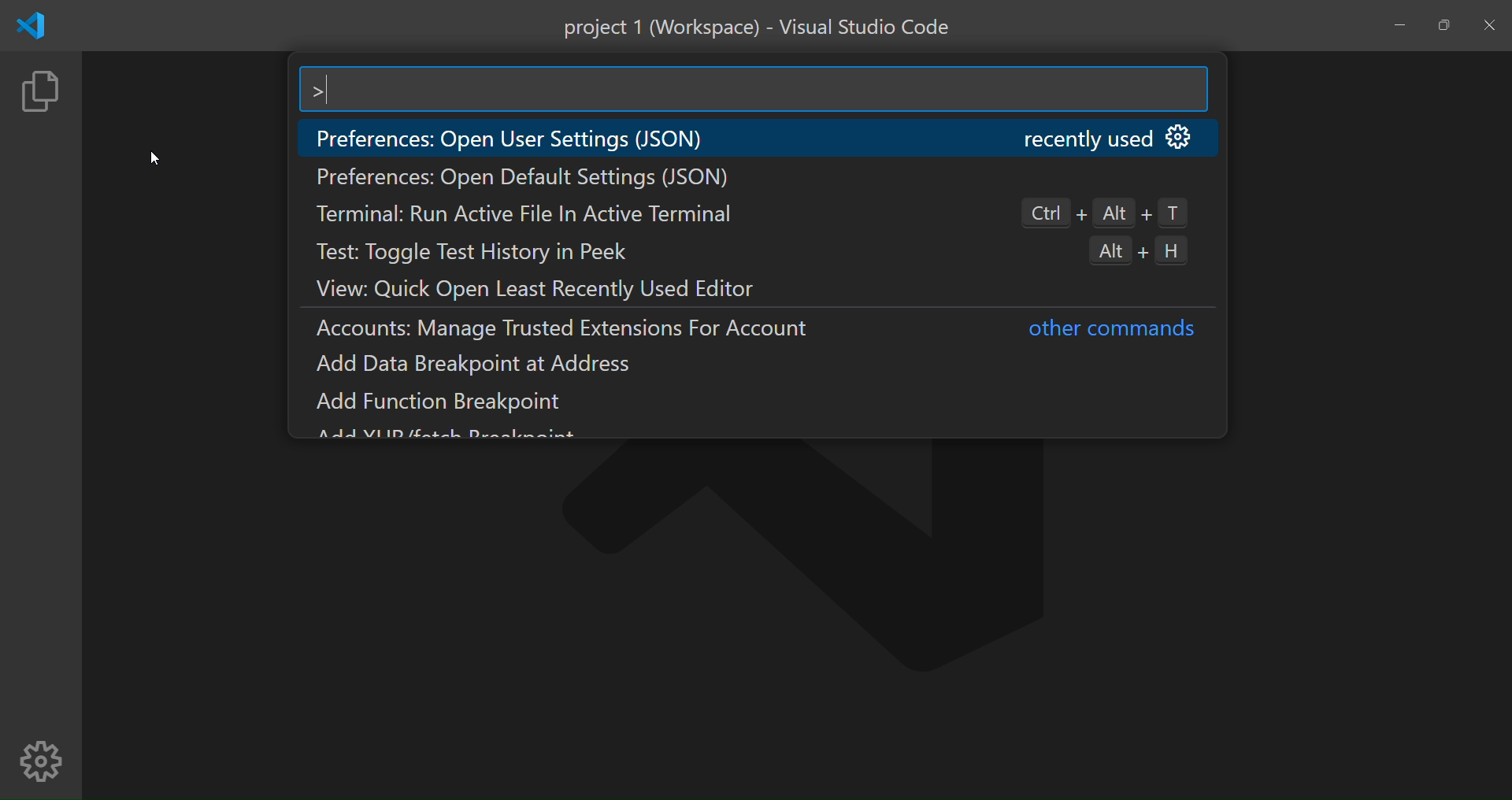 The width and height of the screenshot is (1512, 800). What do you see at coordinates (1102, 212) in the screenshot?
I see `ctrl + alt + T` at bounding box center [1102, 212].